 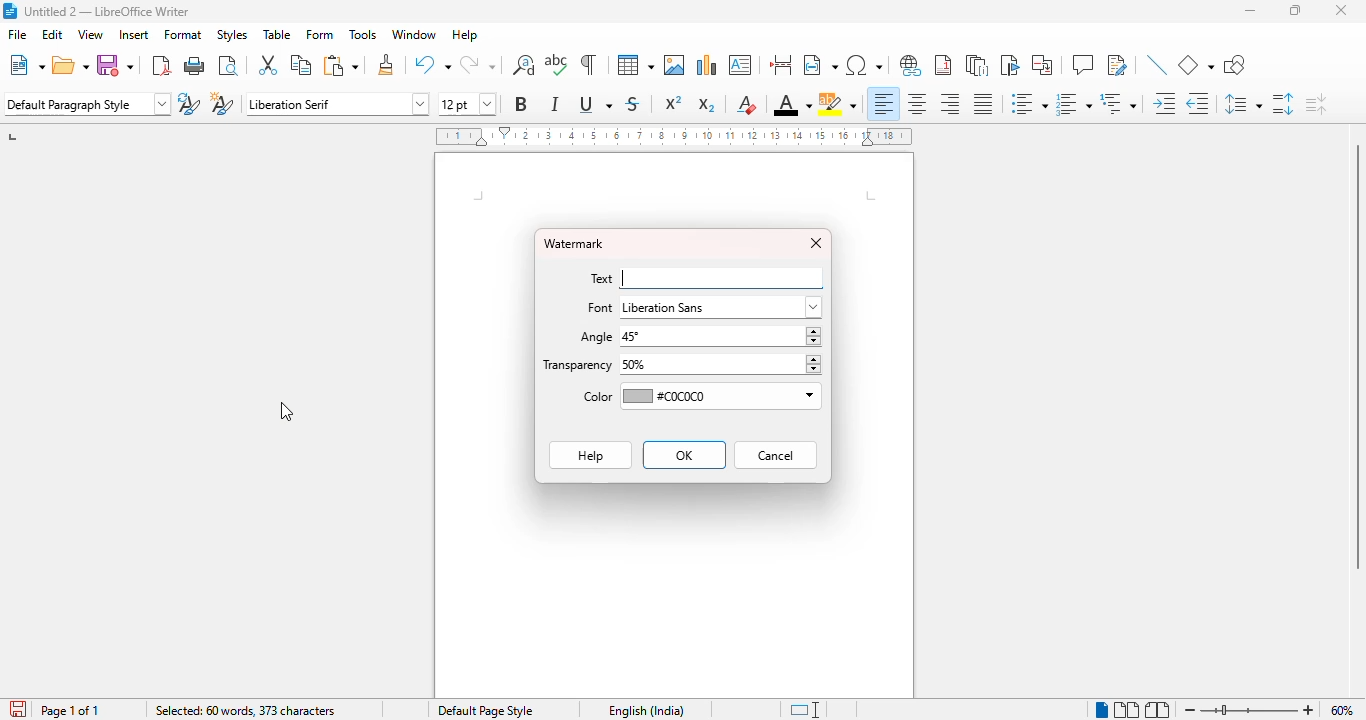 What do you see at coordinates (477, 65) in the screenshot?
I see `redo` at bounding box center [477, 65].